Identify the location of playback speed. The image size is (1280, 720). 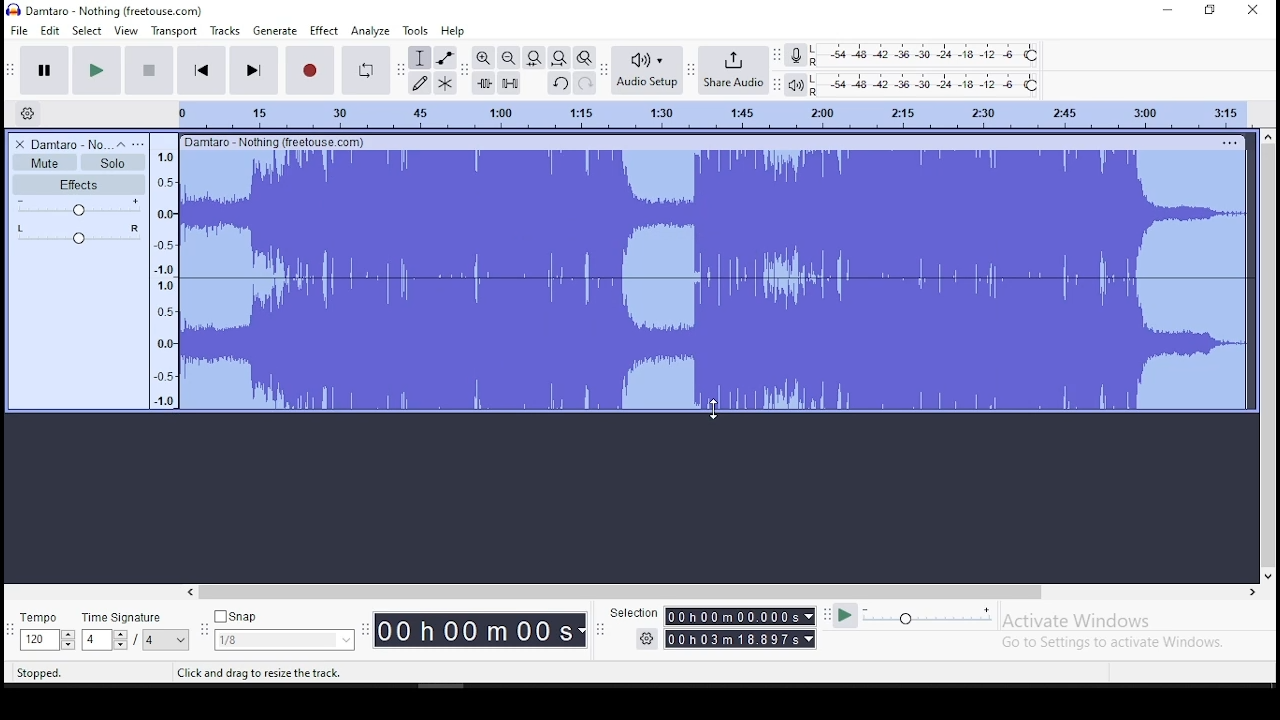
(928, 617).